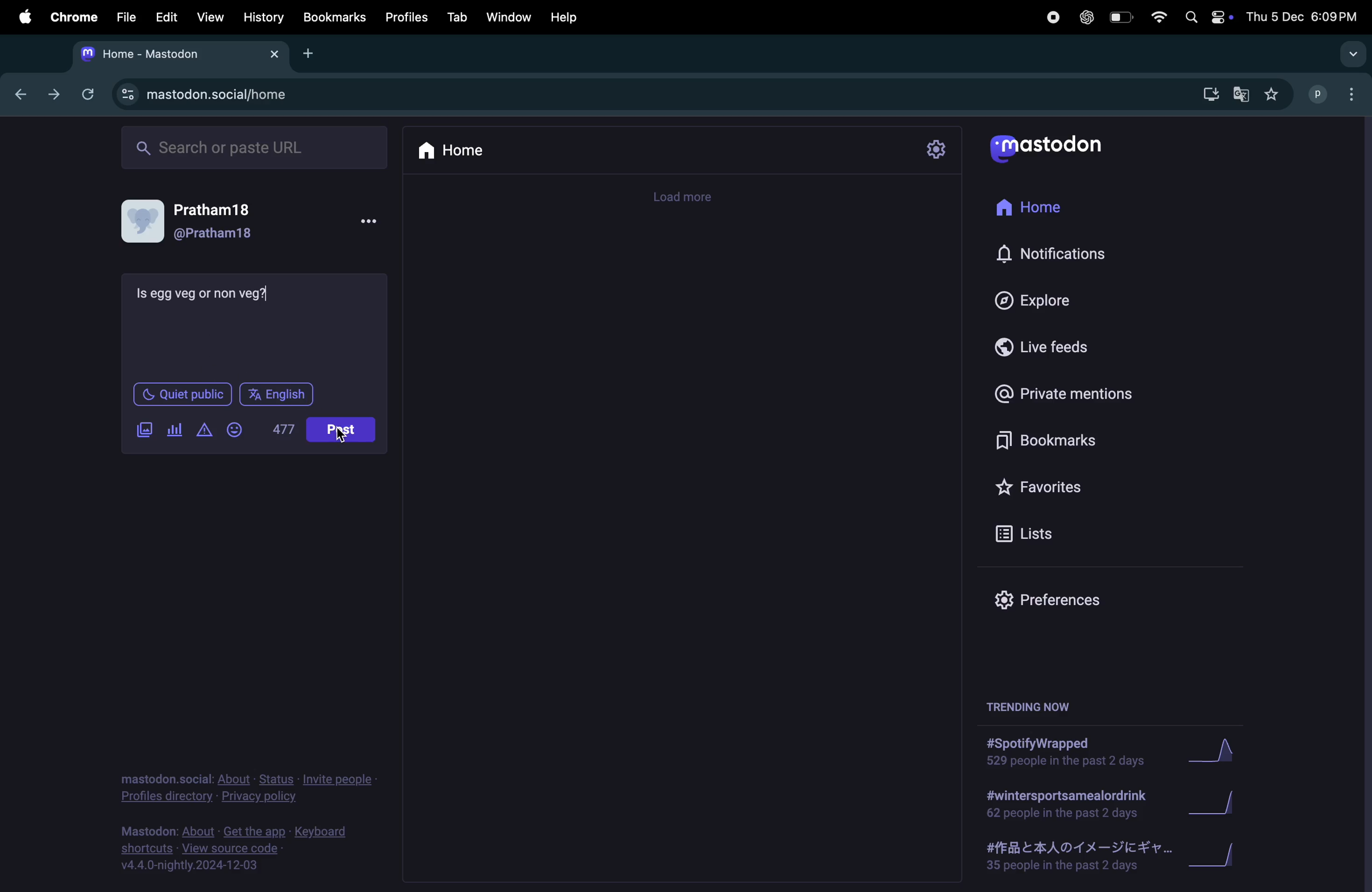  Describe the element at coordinates (1121, 18) in the screenshot. I see `battery` at that location.